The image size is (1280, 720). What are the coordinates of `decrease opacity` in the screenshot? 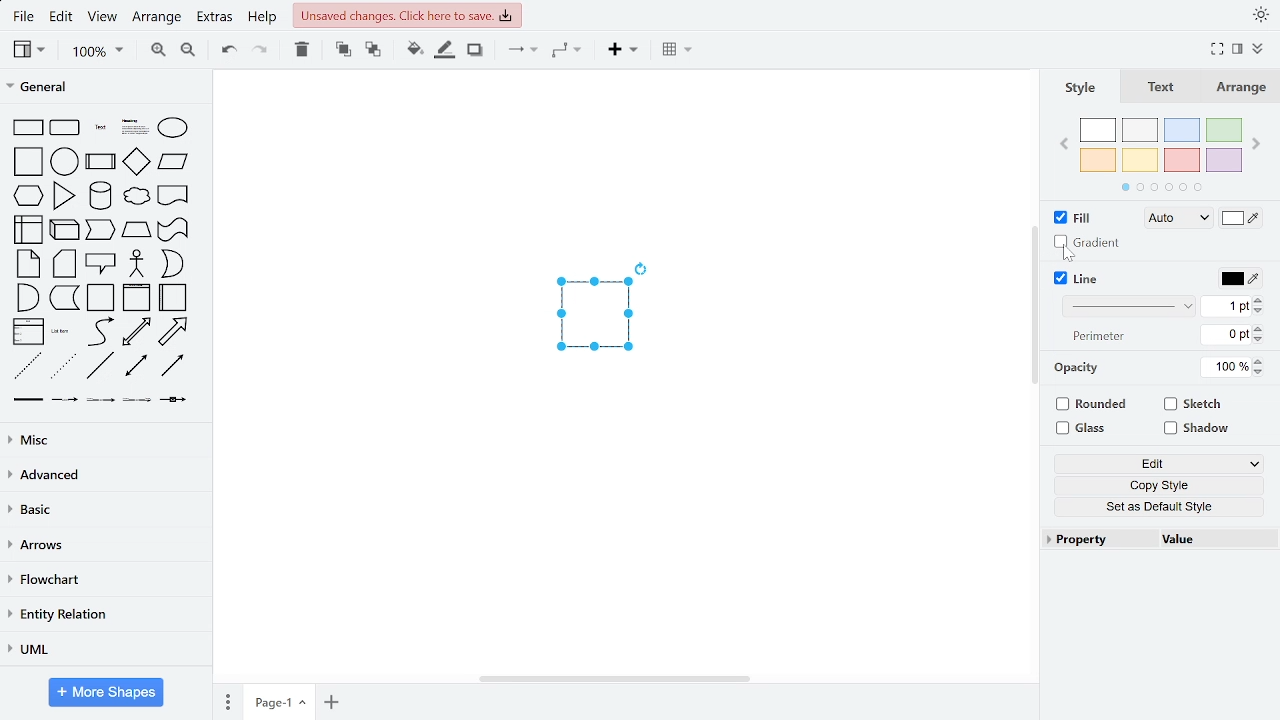 It's located at (1259, 373).